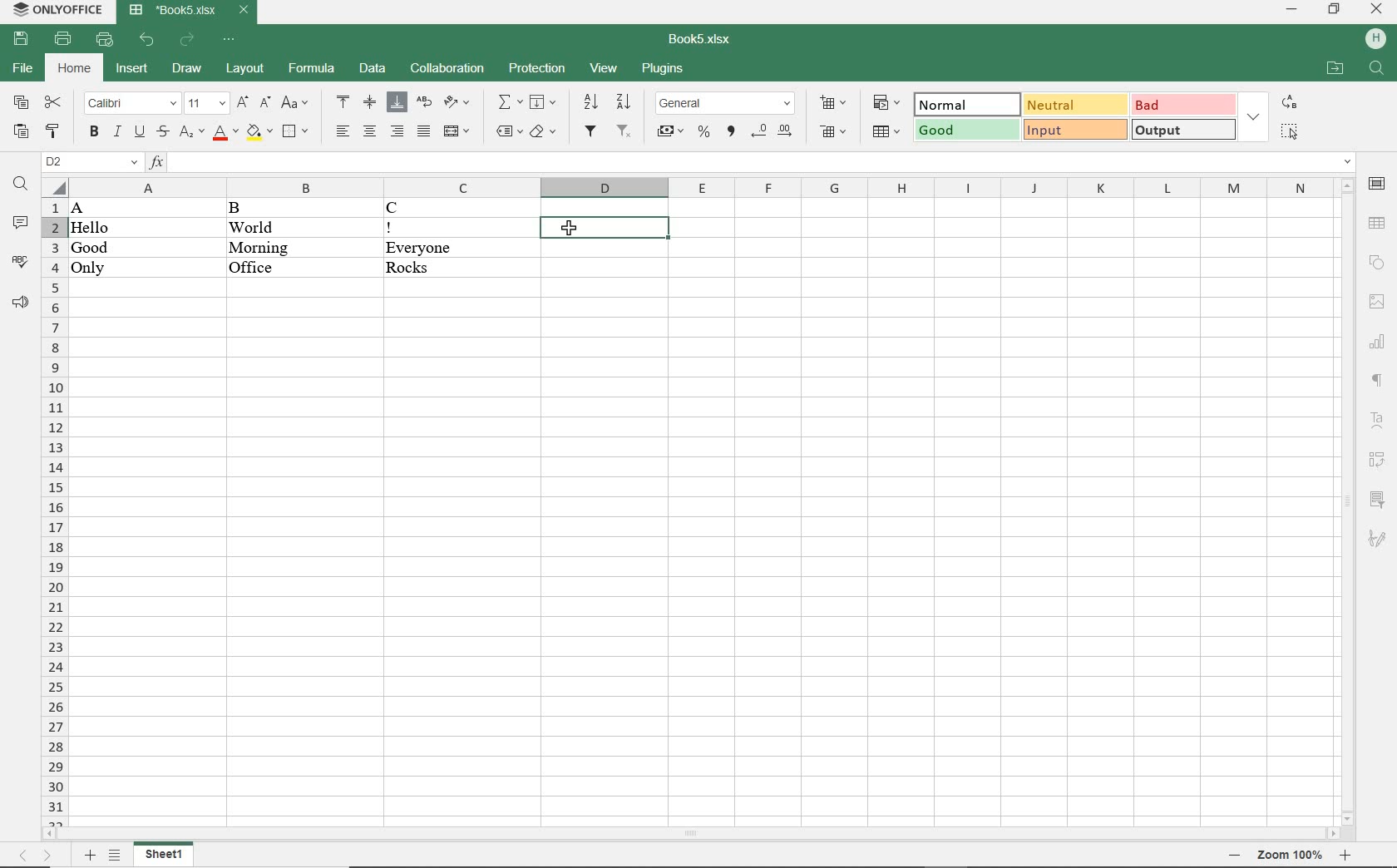 The image size is (1397, 868). I want to click on INSERT CELLS, so click(835, 104).